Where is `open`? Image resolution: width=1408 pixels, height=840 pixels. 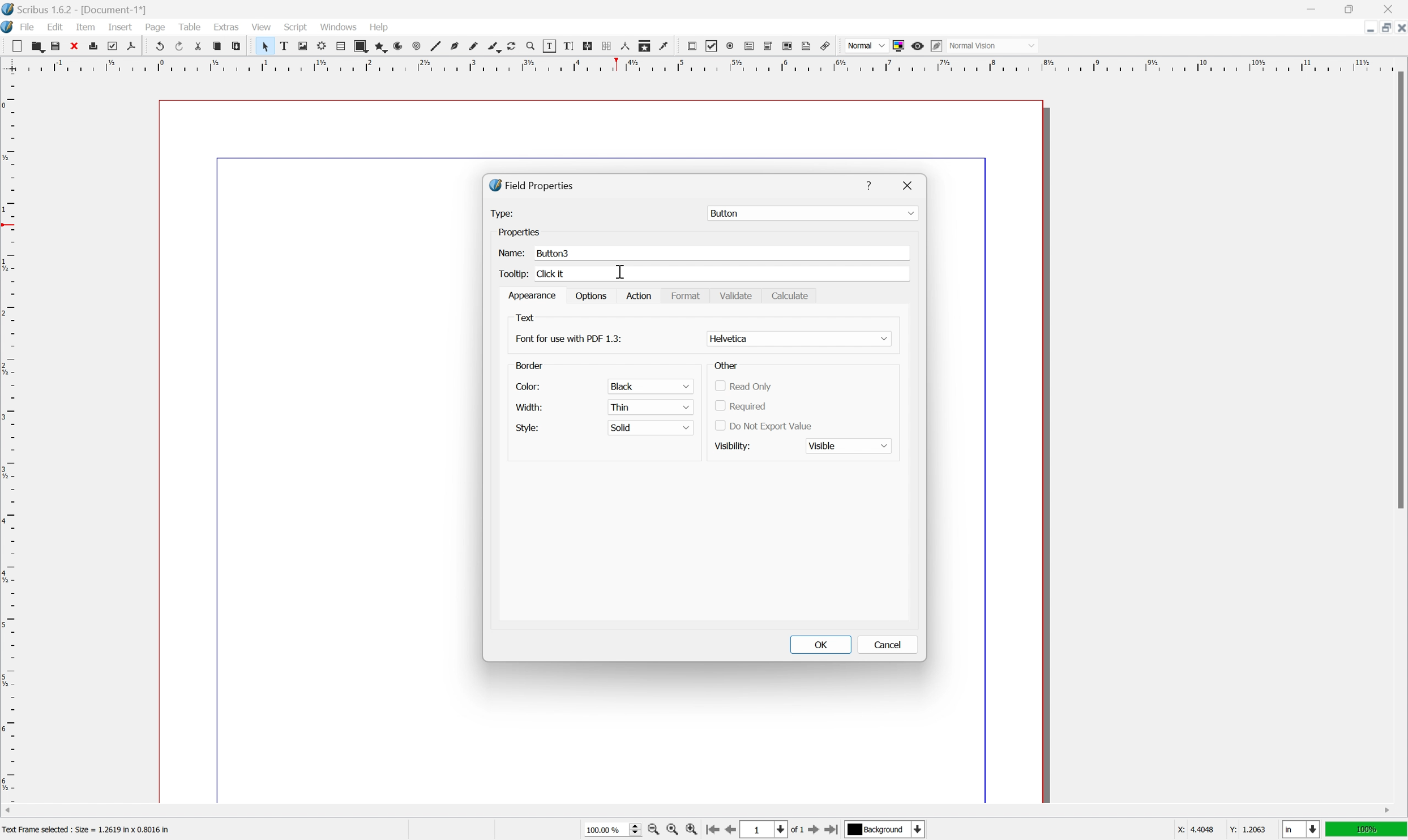 open is located at coordinates (38, 48).